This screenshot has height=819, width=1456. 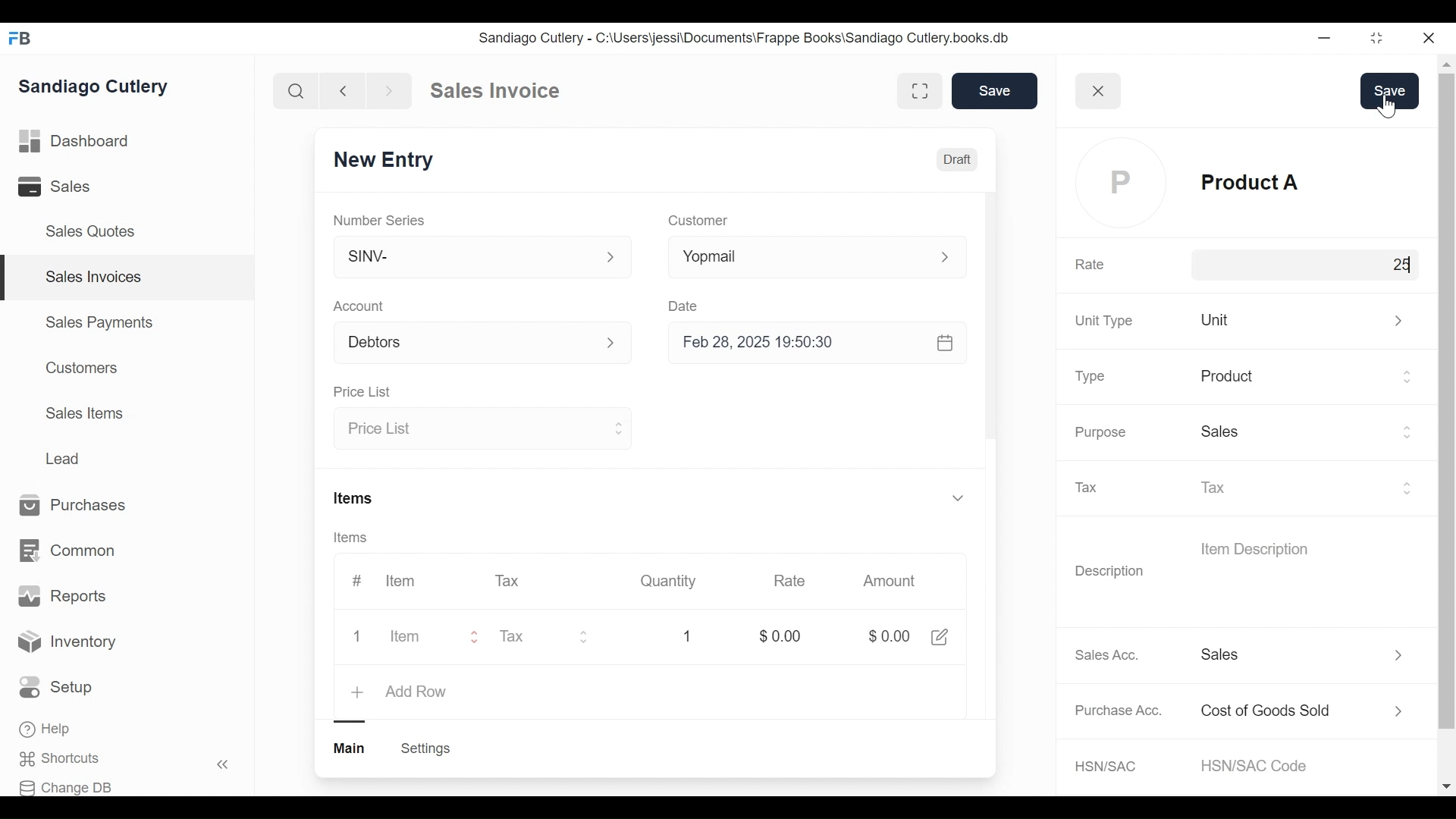 What do you see at coordinates (1094, 488) in the screenshot?
I see `Tax` at bounding box center [1094, 488].